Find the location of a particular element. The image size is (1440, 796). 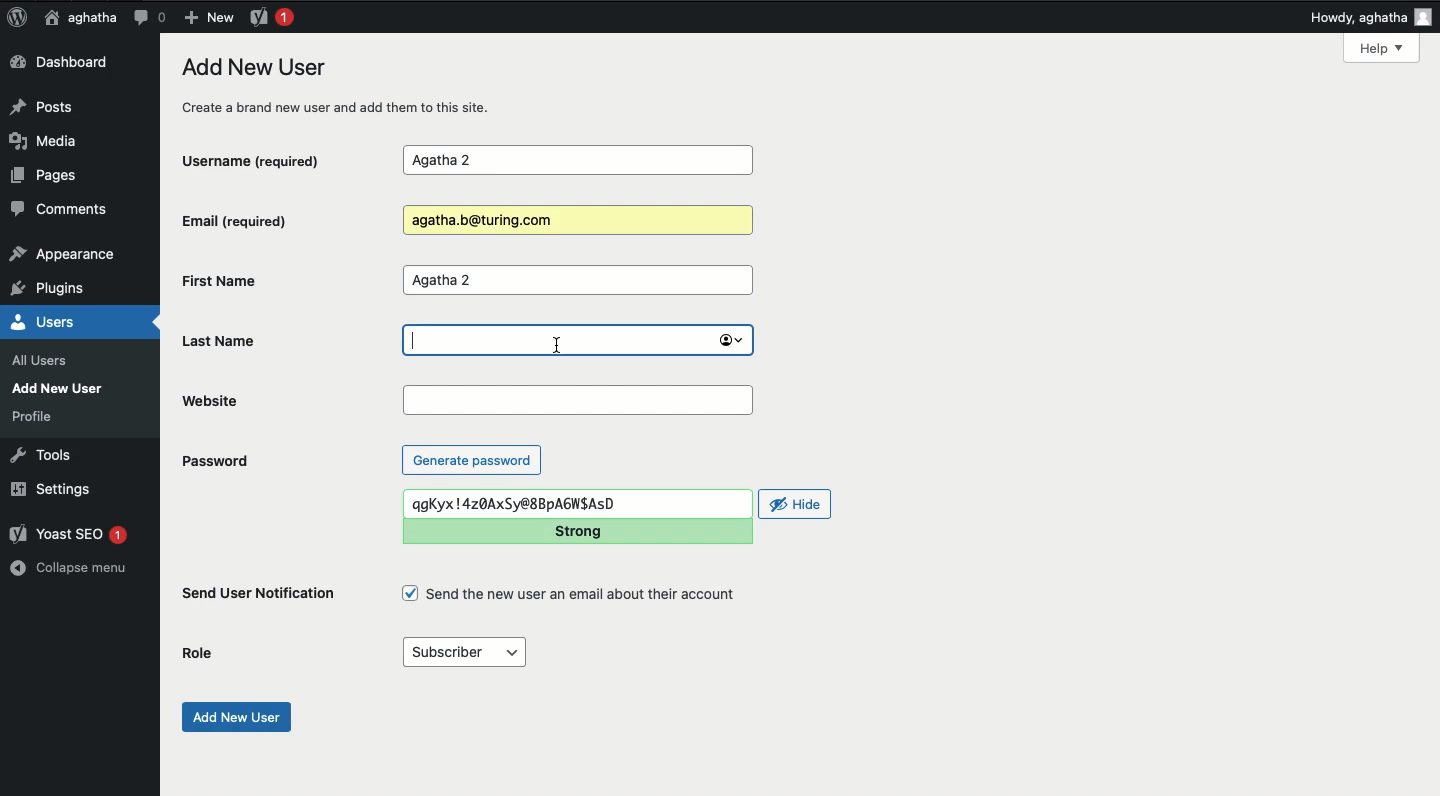

Tools is located at coordinates (42, 453).